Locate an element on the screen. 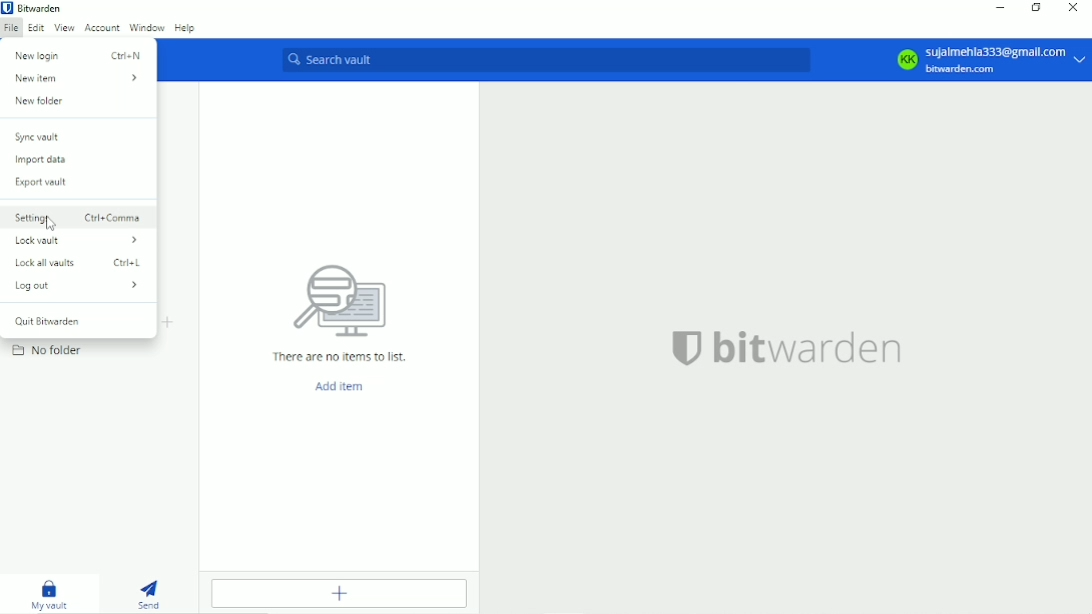 Image resolution: width=1092 pixels, height=614 pixels. KK  is located at coordinates (907, 59).